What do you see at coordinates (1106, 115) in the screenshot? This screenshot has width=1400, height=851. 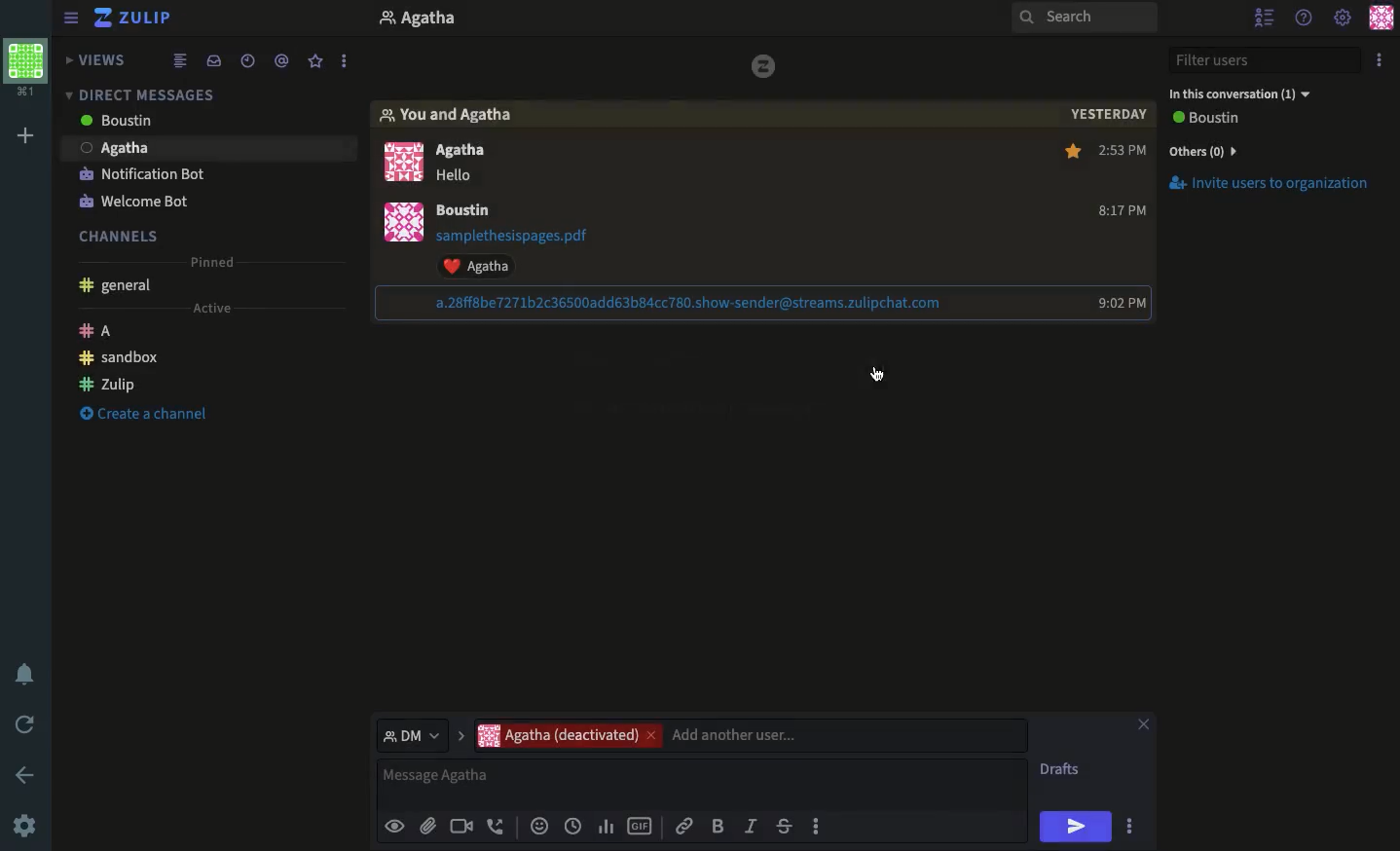 I see `yesterday` at bounding box center [1106, 115].